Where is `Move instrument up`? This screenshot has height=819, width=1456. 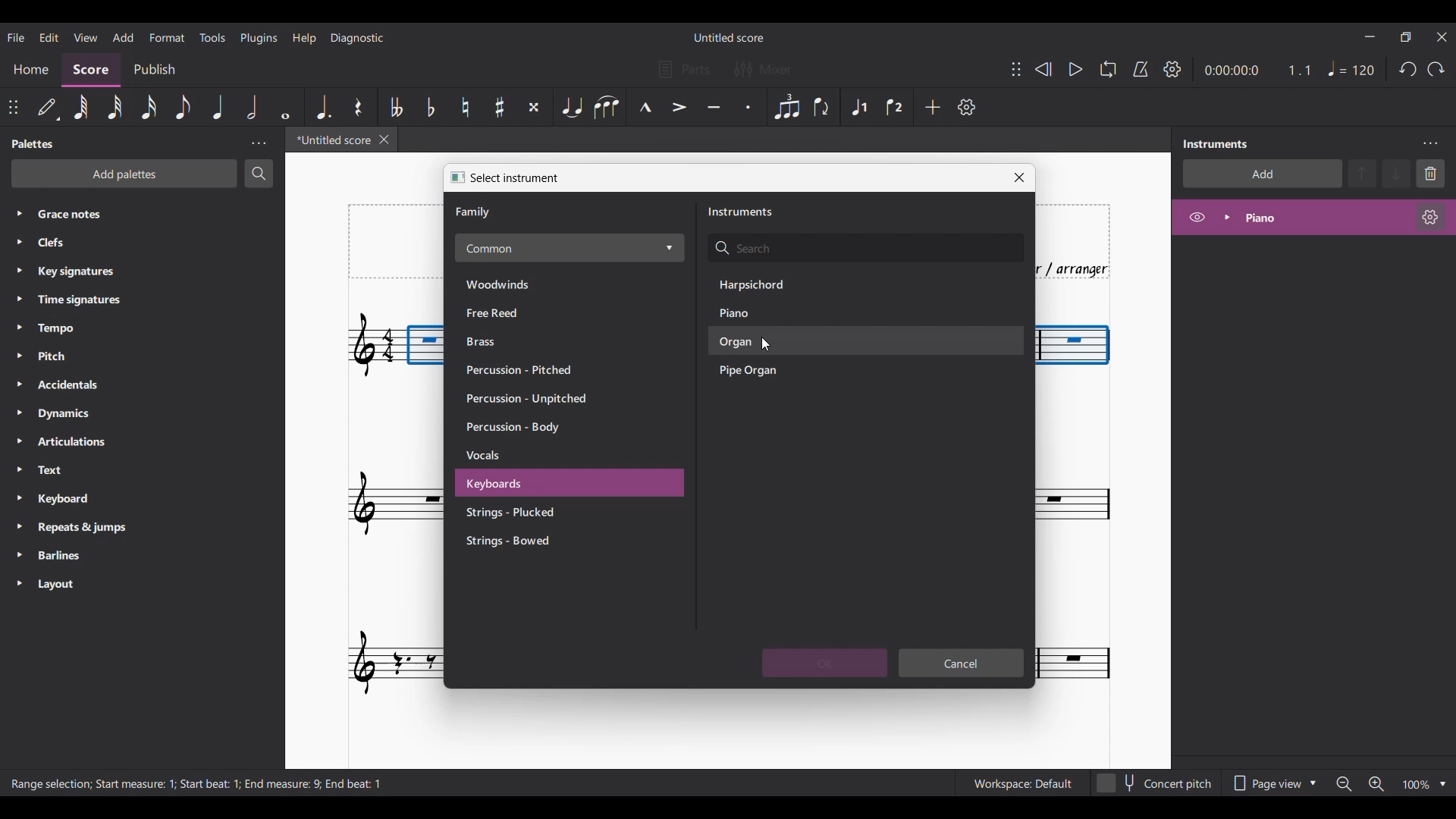 Move instrument up is located at coordinates (1363, 173).